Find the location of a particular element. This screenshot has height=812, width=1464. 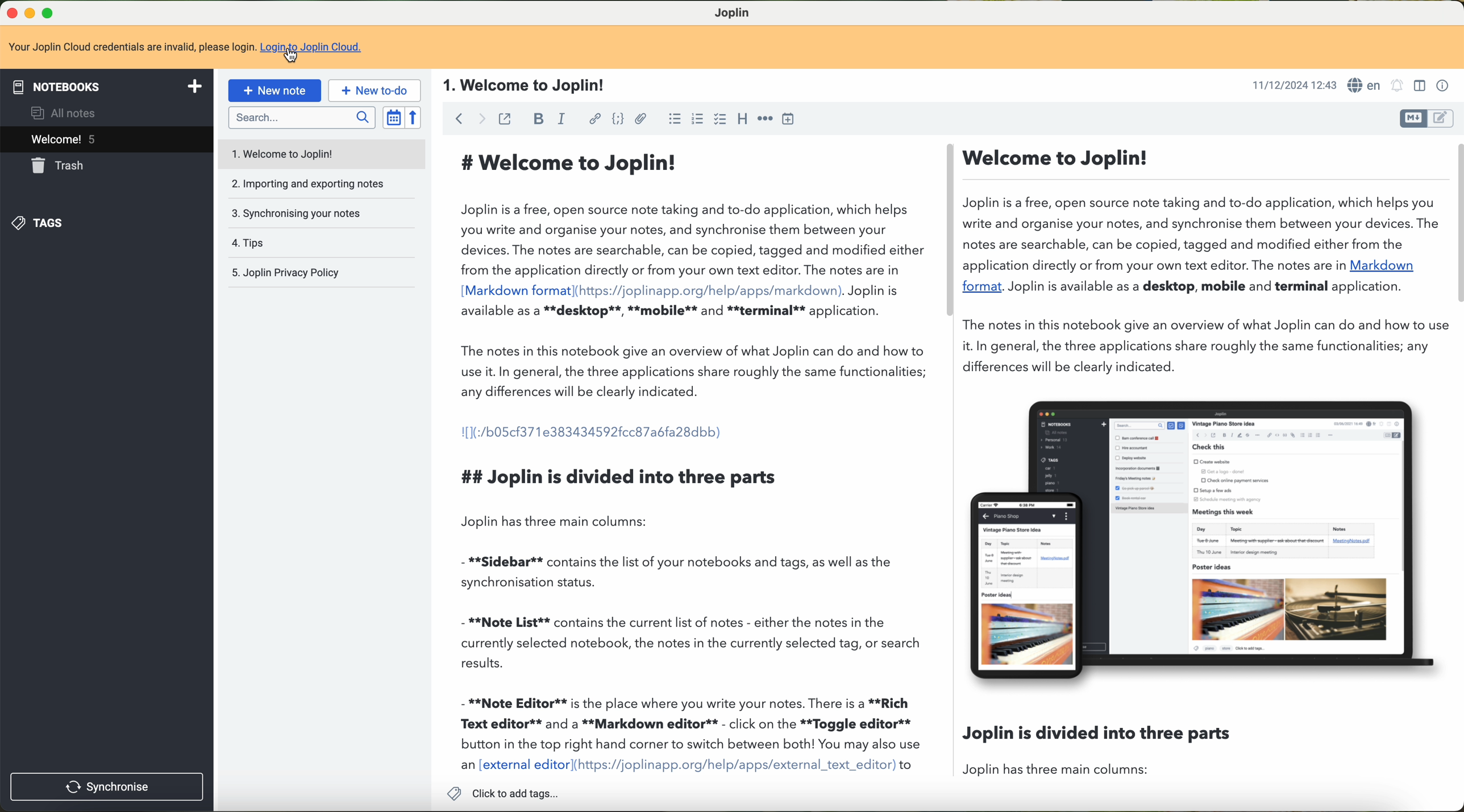

welcome 5 is located at coordinates (105, 139).